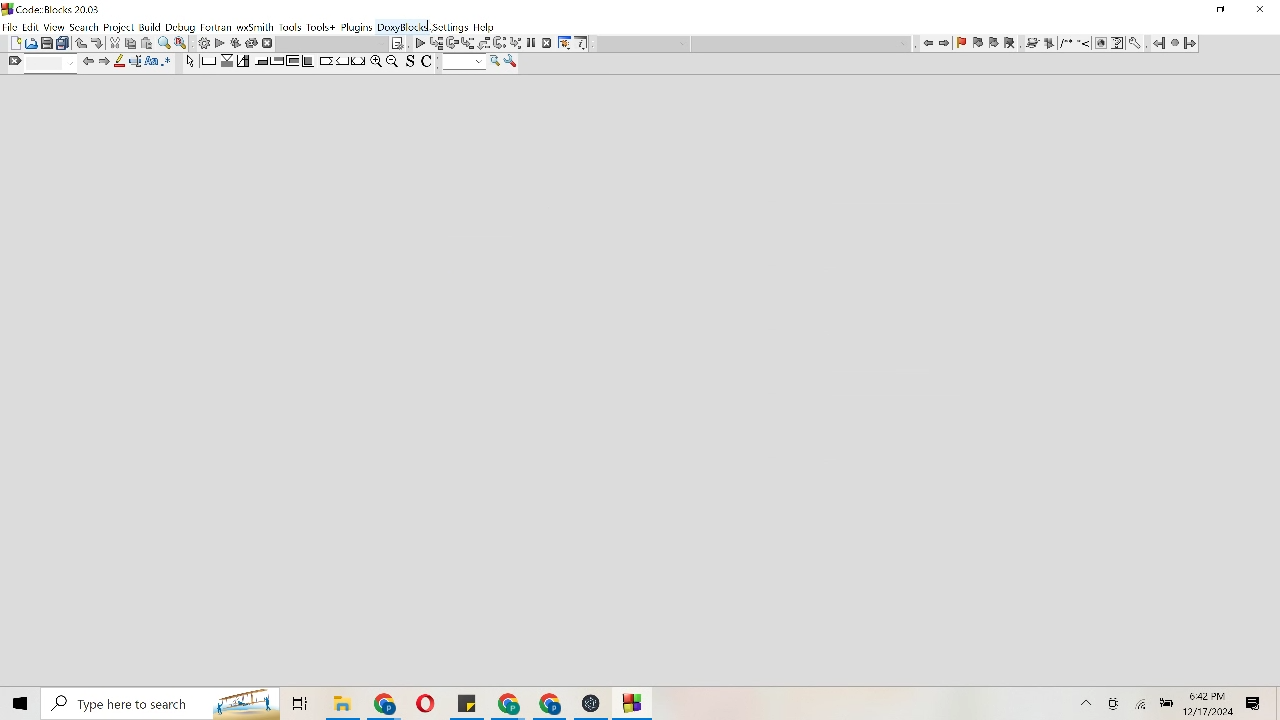 The height and width of the screenshot is (720, 1280). What do you see at coordinates (150, 27) in the screenshot?
I see `Build` at bounding box center [150, 27].